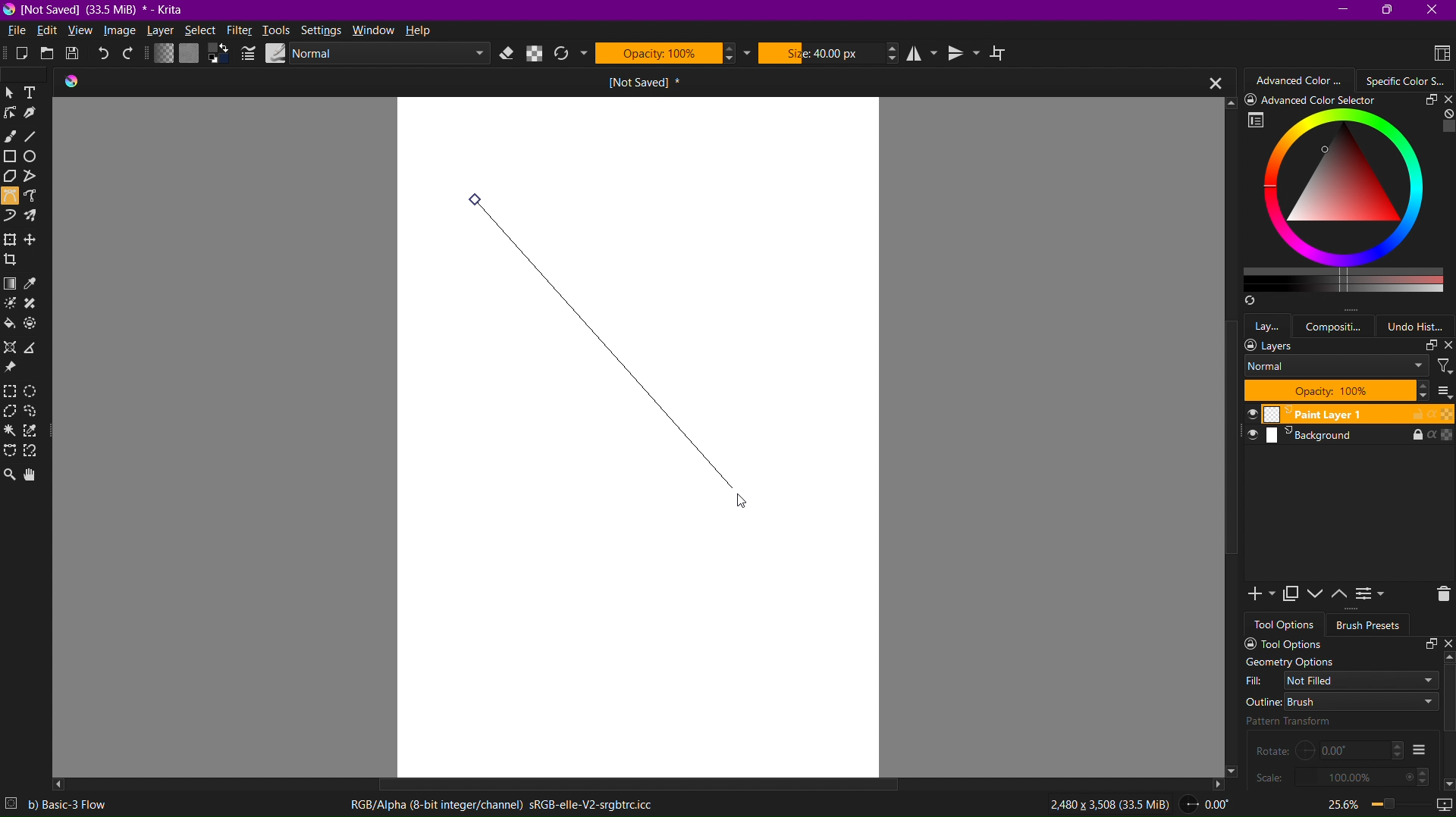 The width and height of the screenshot is (1456, 817). I want to click on Text Tool, so click(36, 92).